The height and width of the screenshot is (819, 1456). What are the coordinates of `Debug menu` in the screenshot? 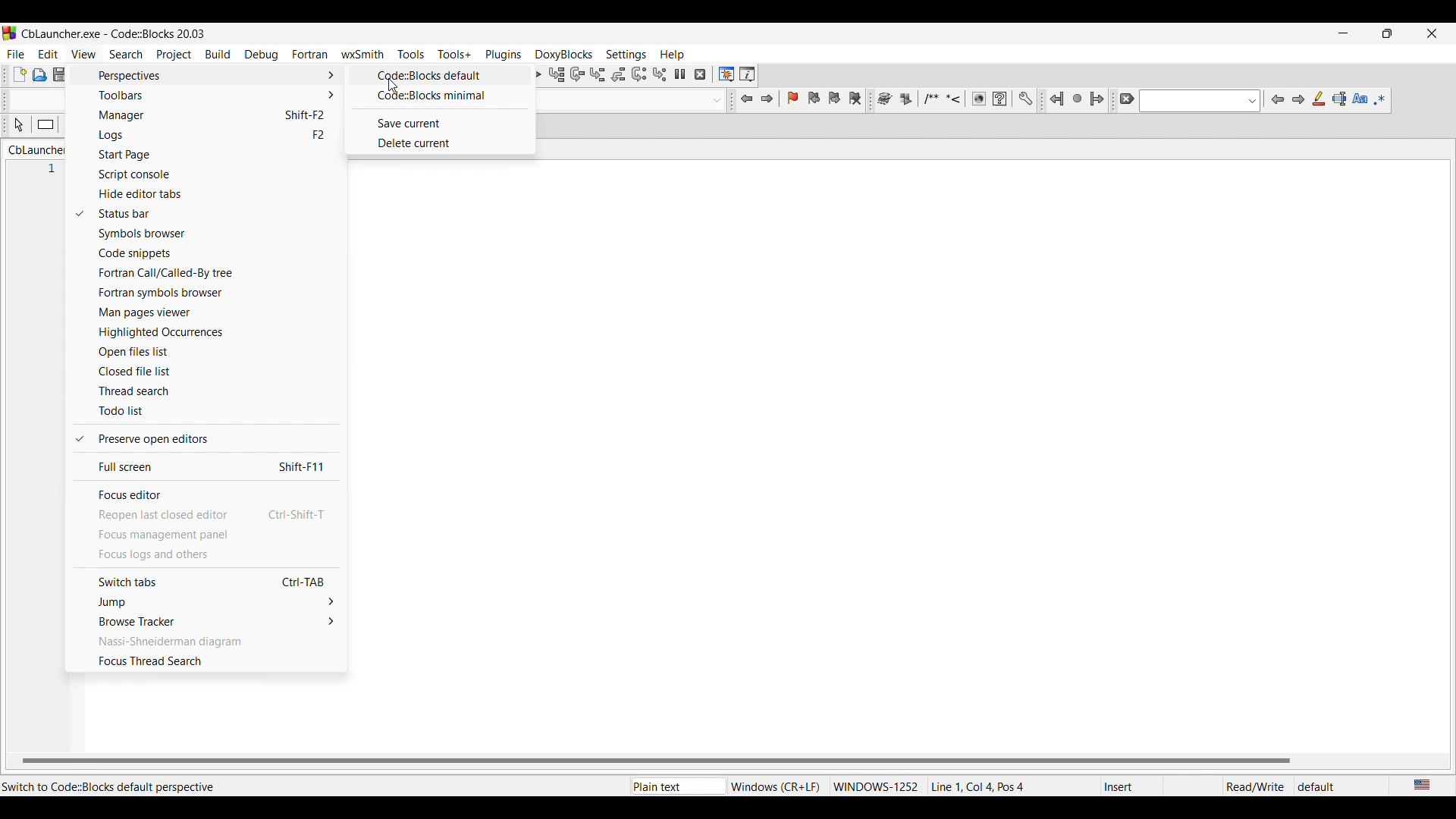 It's located at (262, 55).